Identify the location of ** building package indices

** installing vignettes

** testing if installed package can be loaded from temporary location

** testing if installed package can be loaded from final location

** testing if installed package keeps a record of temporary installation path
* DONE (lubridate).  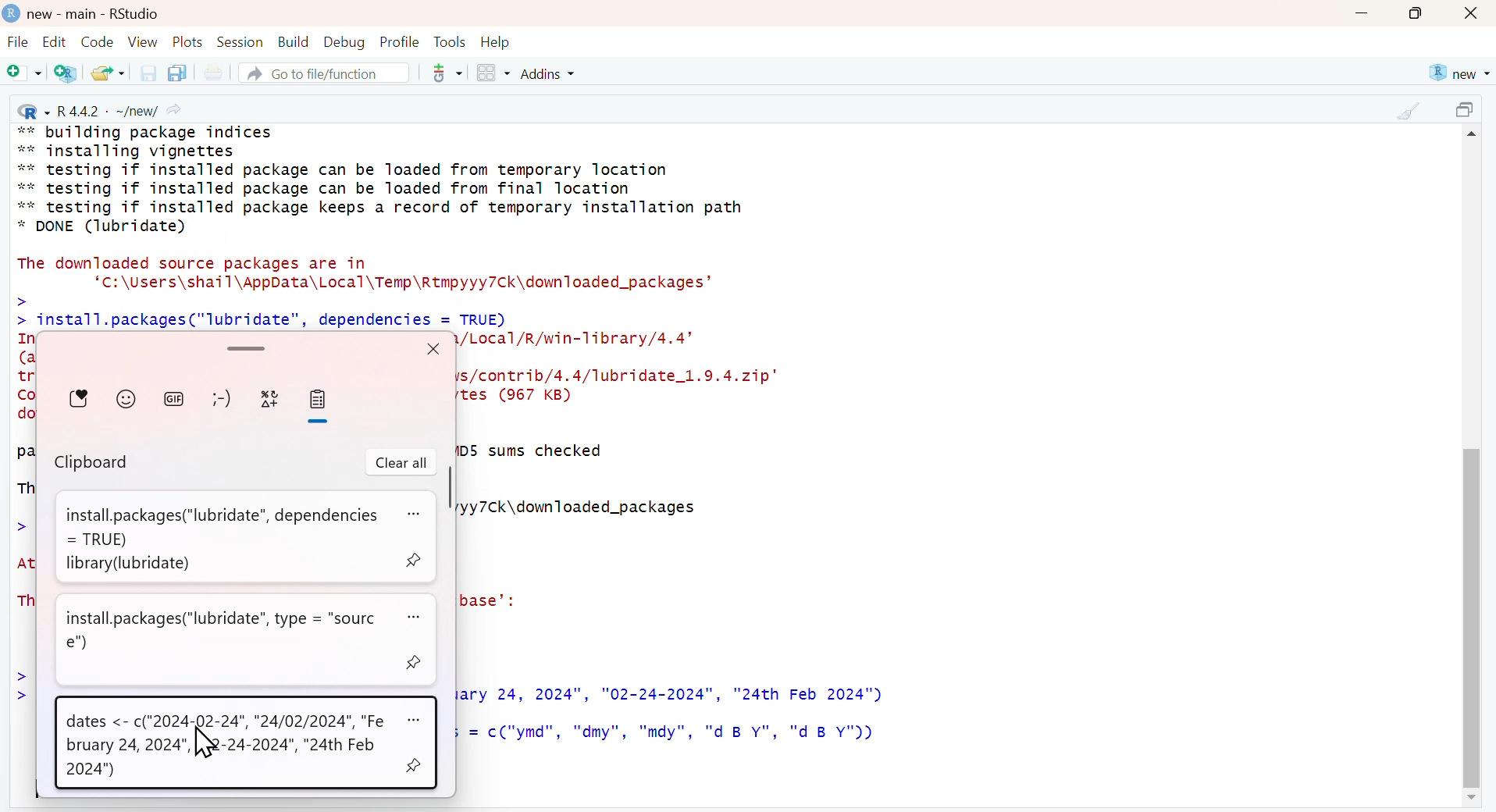
(383, 180).